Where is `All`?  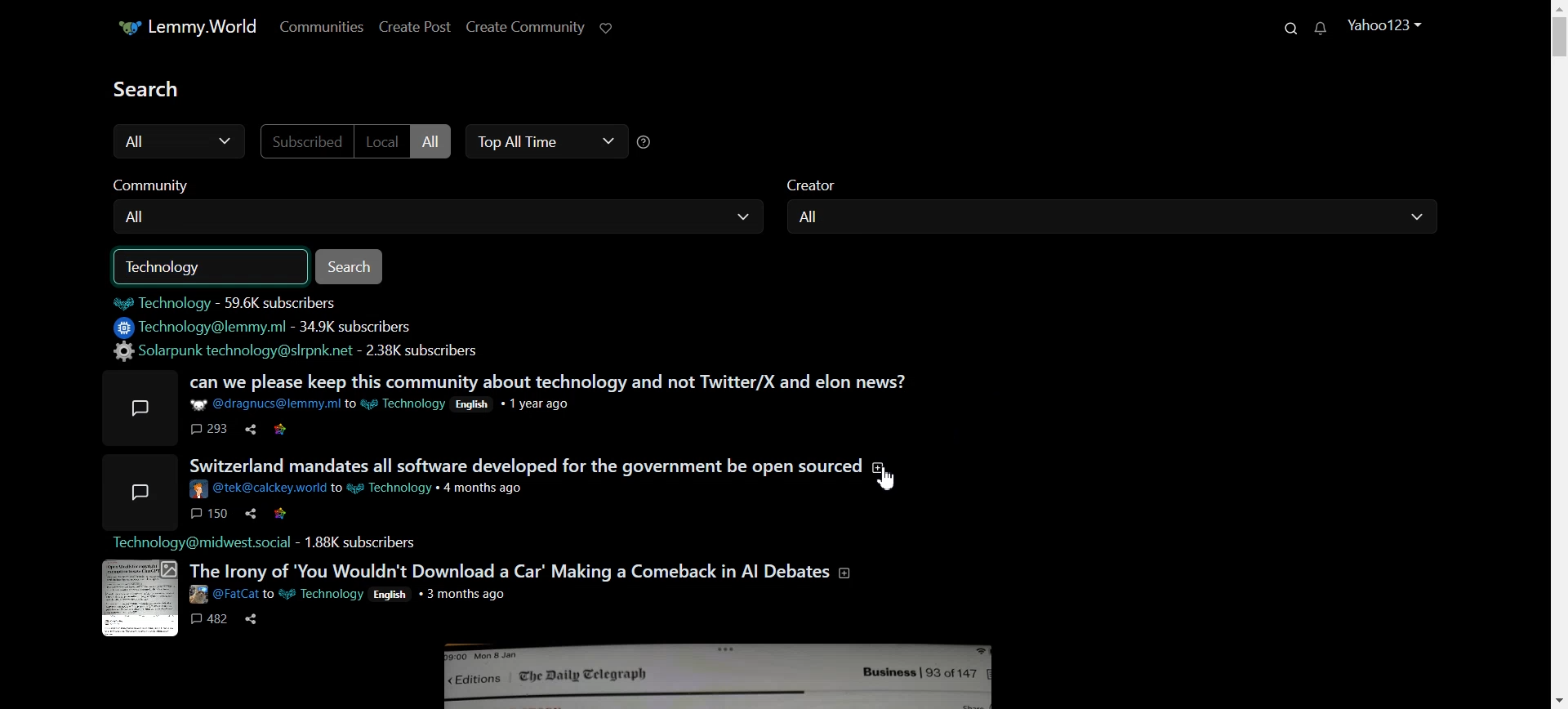
All is located at coordinates (436, 142).